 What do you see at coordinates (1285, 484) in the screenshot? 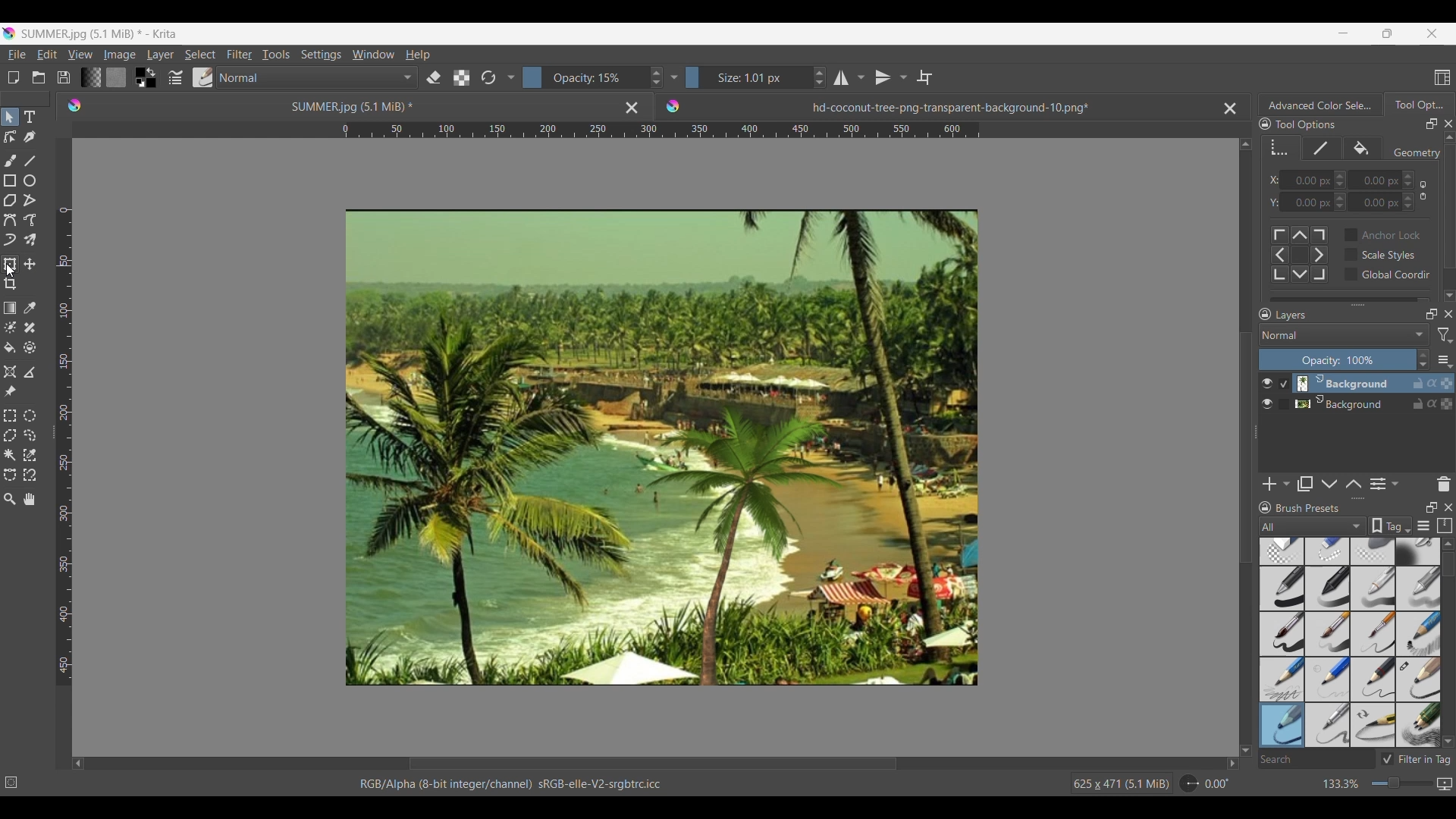
I see `Add new layer option` at bounding box center [1285, 484].